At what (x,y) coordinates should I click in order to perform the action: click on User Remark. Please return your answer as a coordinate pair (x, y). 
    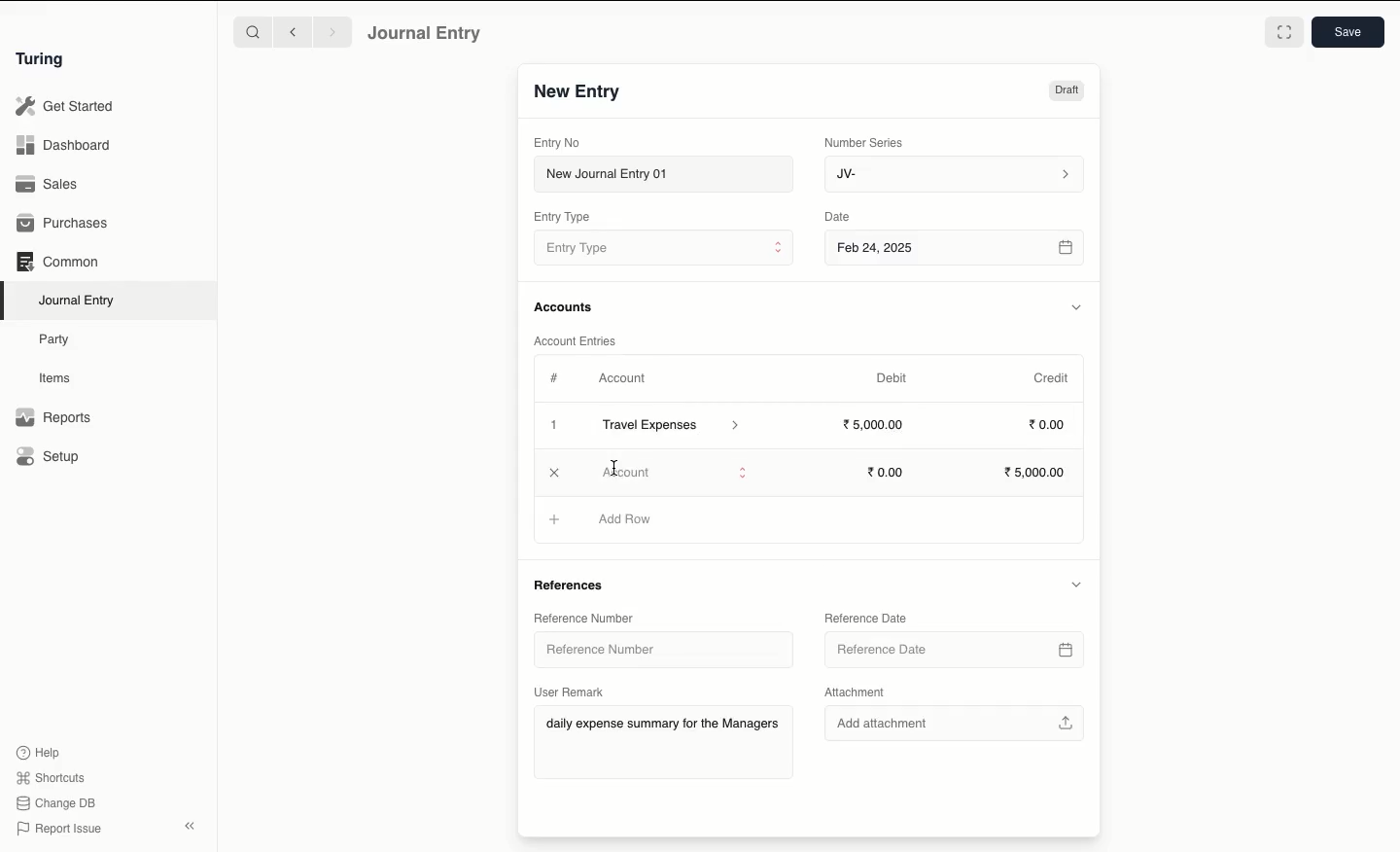
    Looking at the image, I should click on (570, 692).